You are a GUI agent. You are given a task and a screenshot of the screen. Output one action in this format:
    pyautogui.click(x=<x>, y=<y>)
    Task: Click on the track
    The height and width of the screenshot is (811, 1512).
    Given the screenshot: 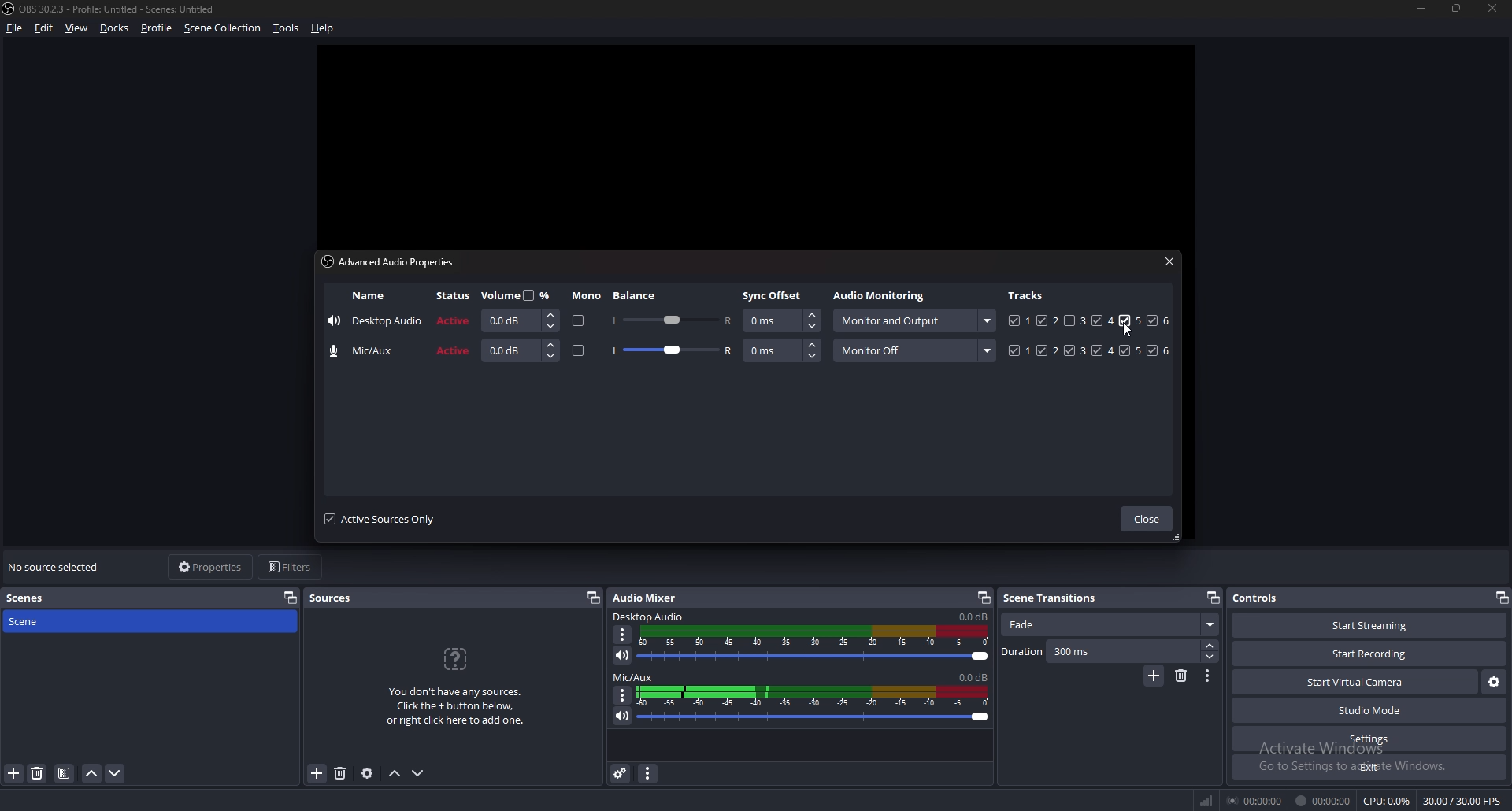 What is the action you would take?
    pyautogui.click(x=1125, y=320)
    